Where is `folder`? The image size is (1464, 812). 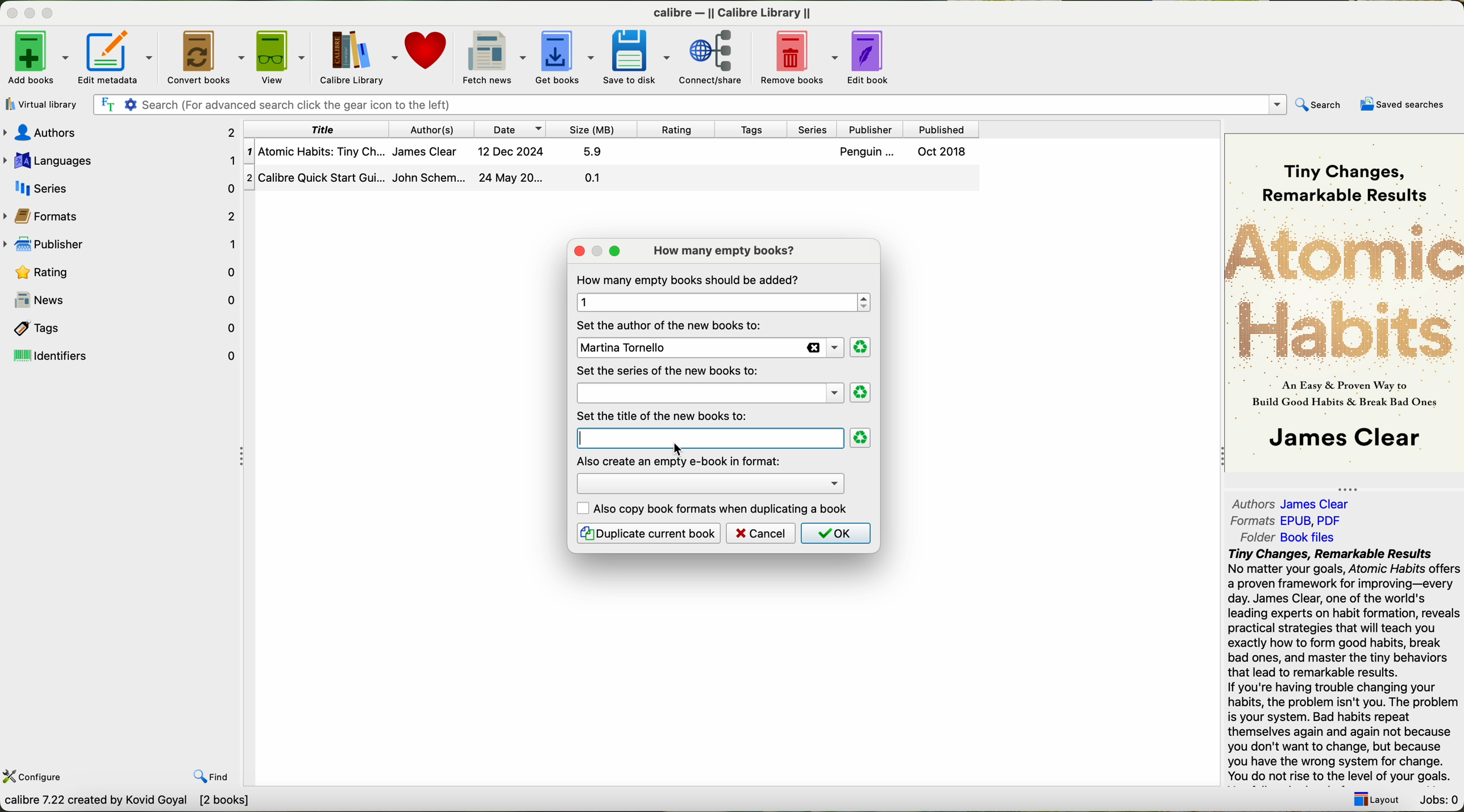 folder is located at coordinates (1286, 538).